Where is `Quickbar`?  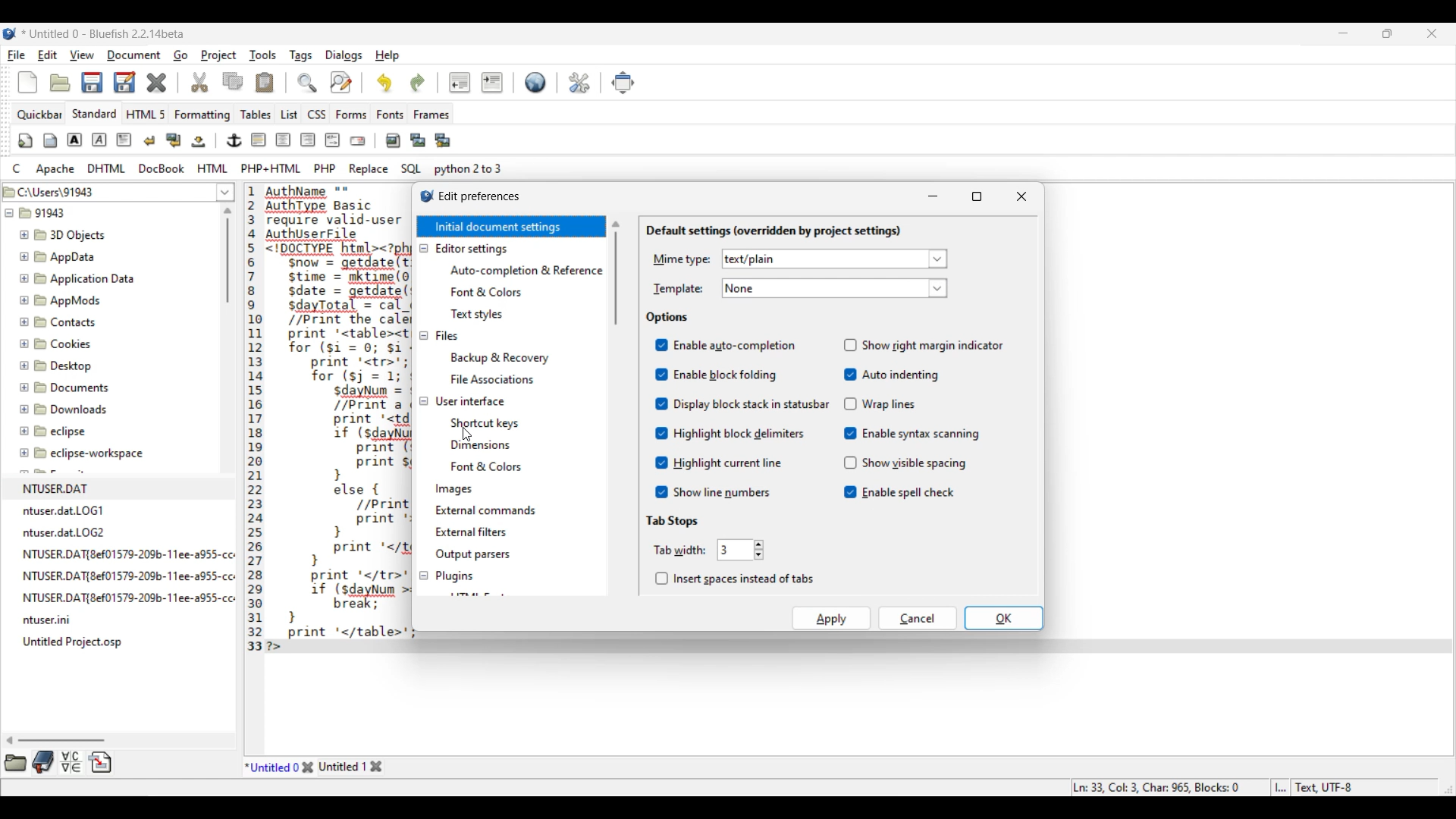
Quickbar is located at coordinates (39, 115).